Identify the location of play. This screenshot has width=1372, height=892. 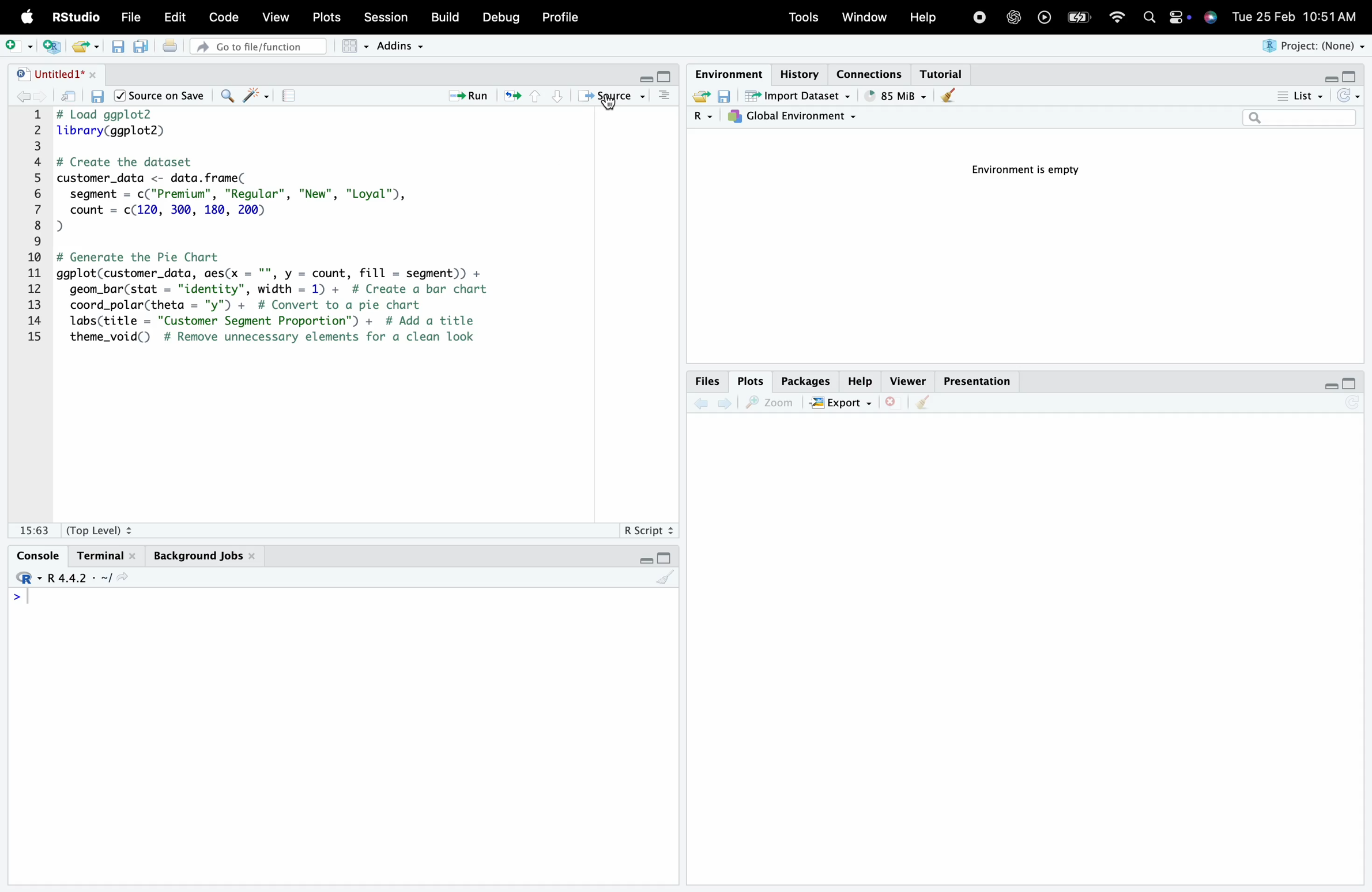
(1045, 16).